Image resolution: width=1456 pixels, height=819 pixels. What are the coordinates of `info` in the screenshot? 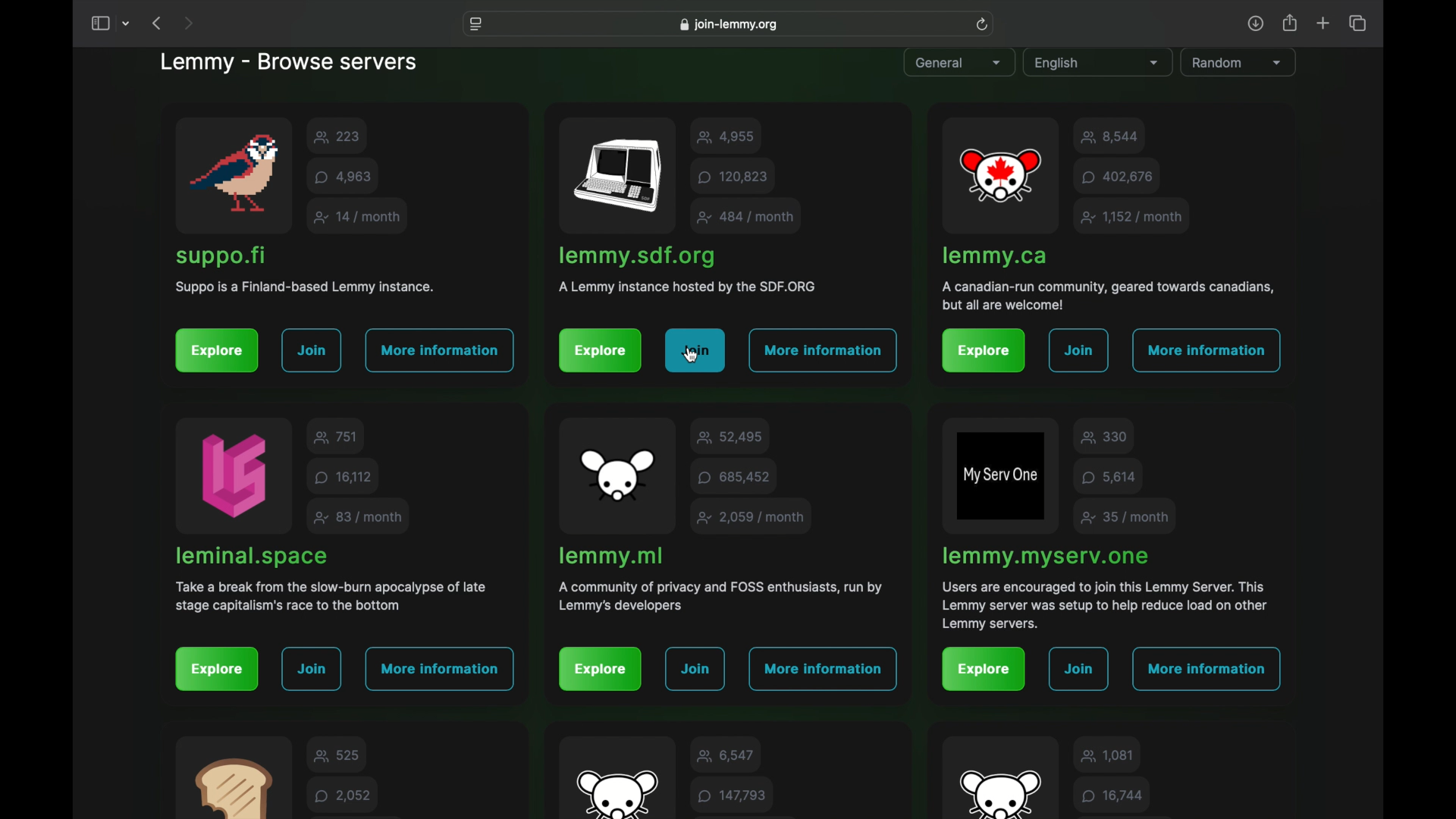 It's located at (331, 596).